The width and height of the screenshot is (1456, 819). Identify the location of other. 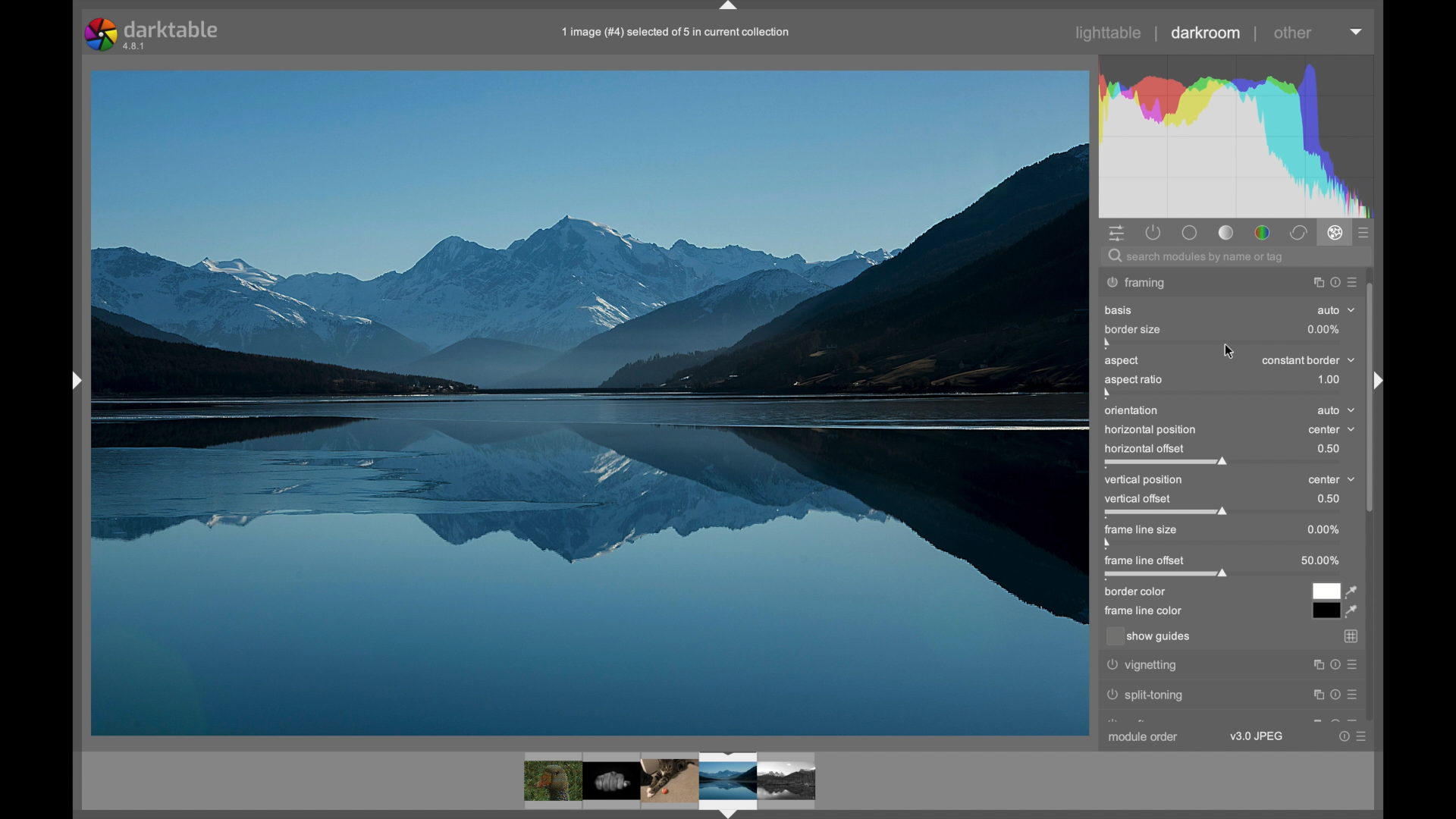
(1295, 33).